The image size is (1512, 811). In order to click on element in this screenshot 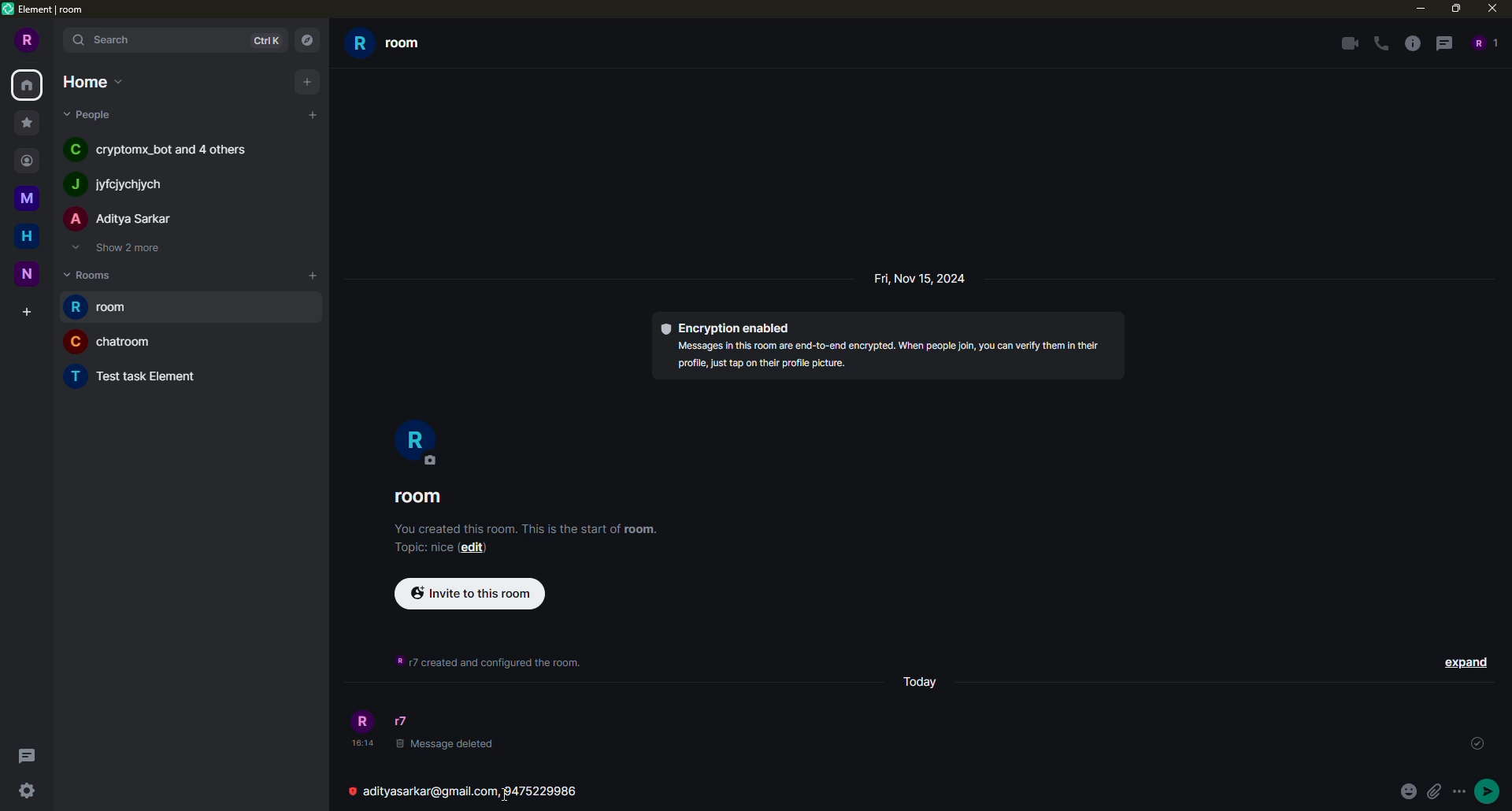, I will do `click(49, 12)`.